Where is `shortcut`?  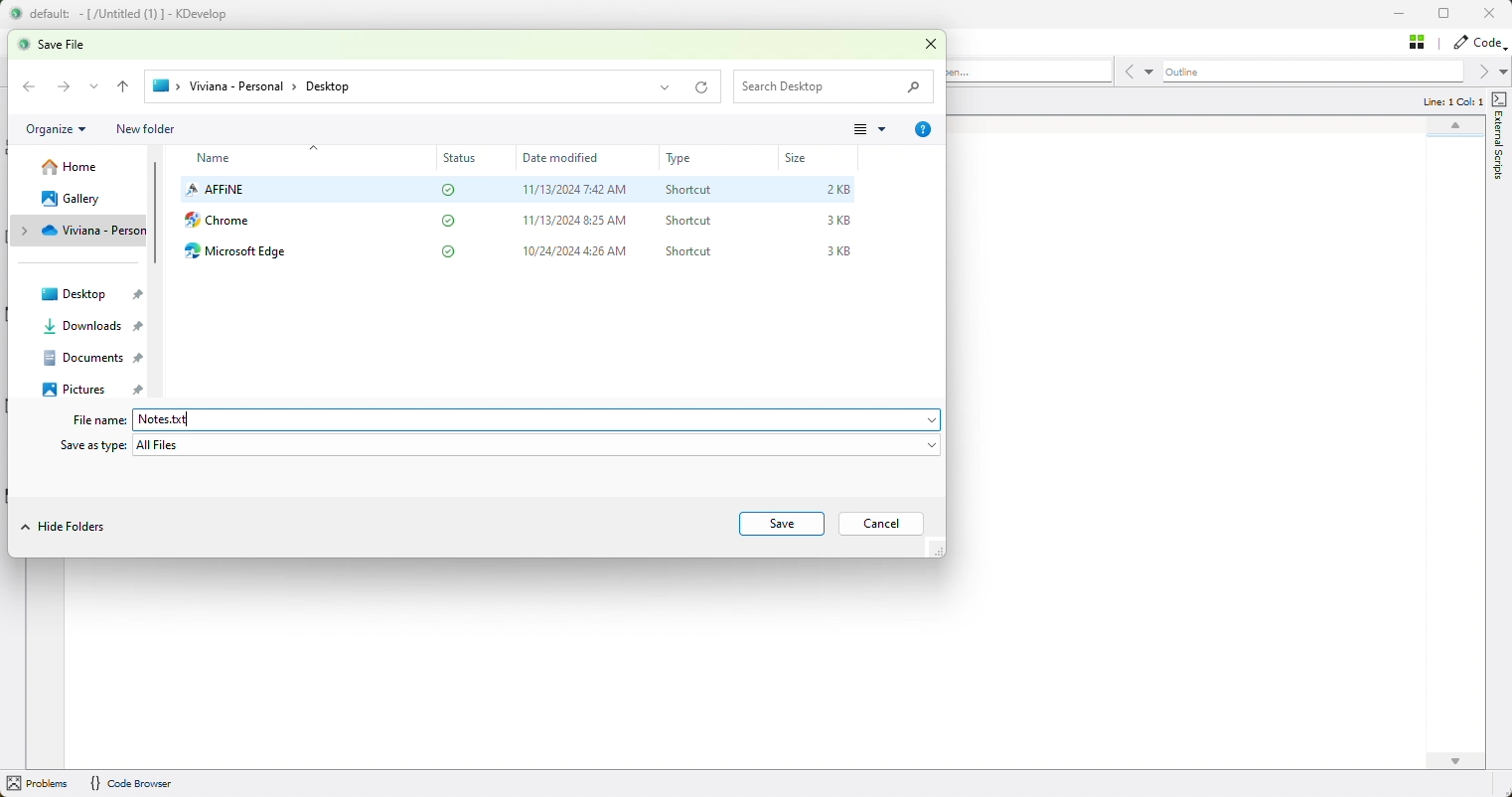 shortcut is located at coordinates (688, 251).